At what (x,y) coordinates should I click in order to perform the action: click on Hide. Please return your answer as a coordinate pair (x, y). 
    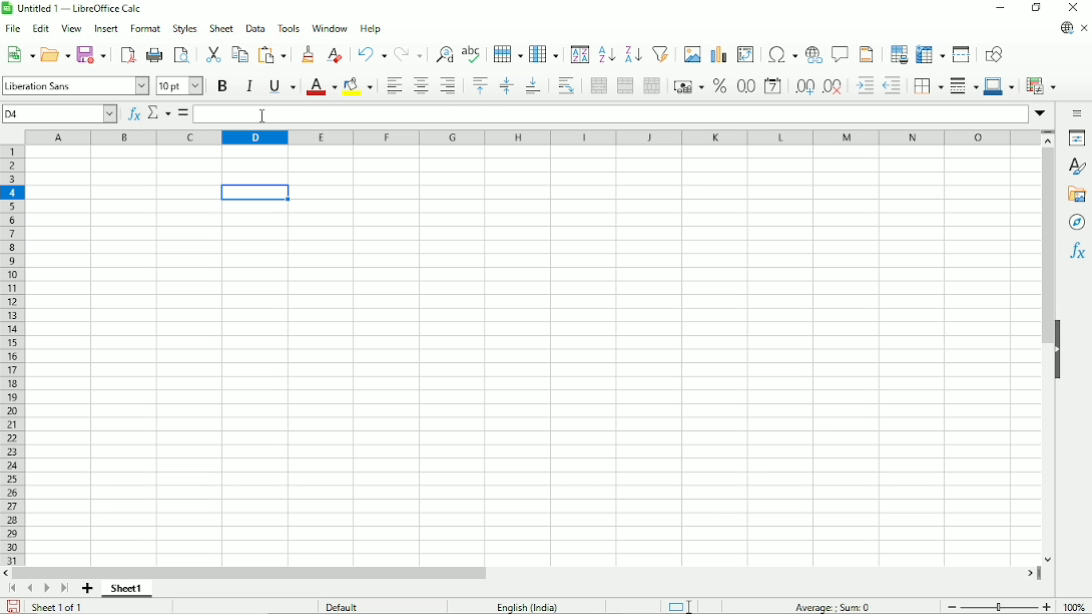
    Looking at the image, I should click on (1060, 342).